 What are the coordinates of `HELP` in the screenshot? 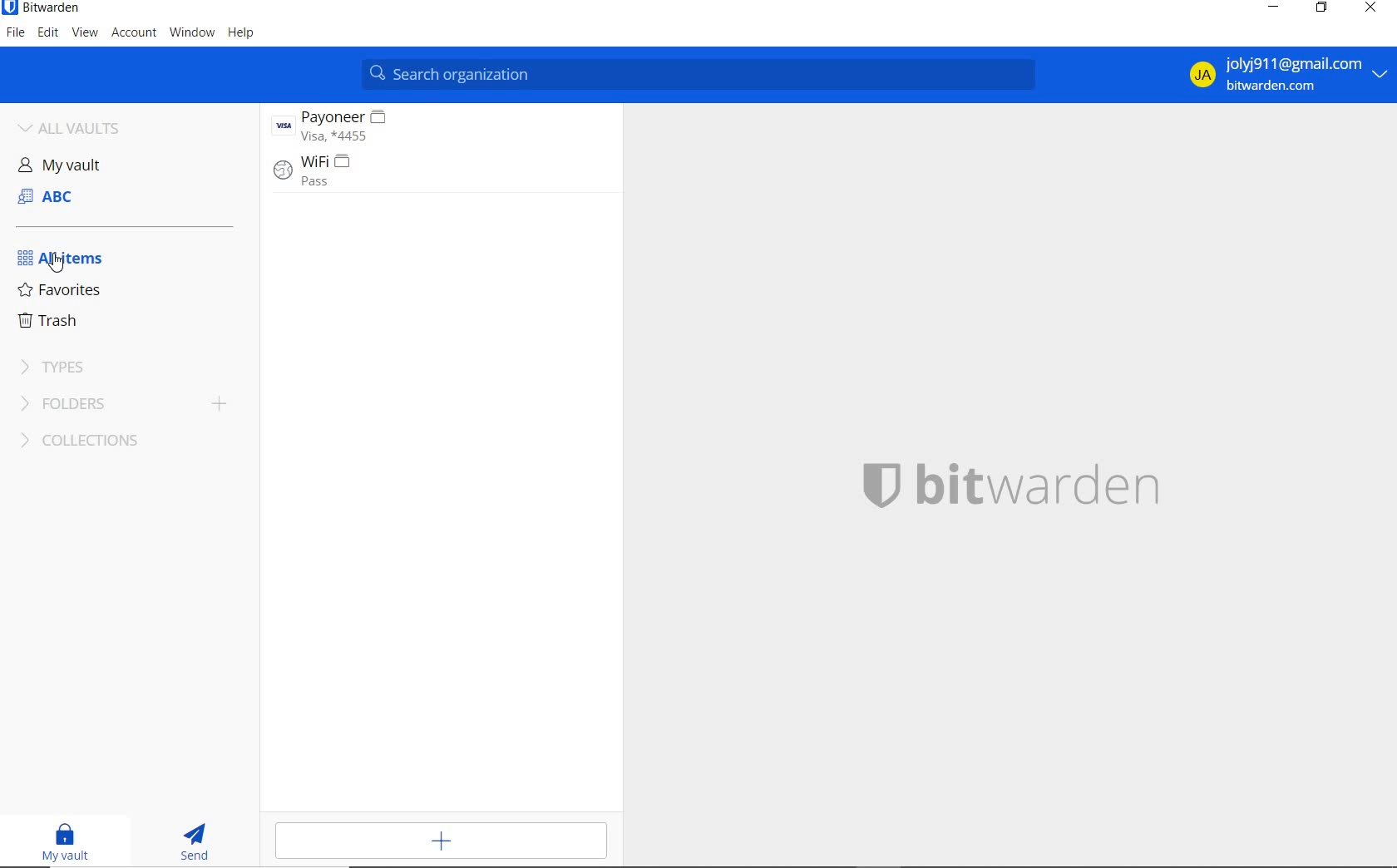 It's located at (241, 34).